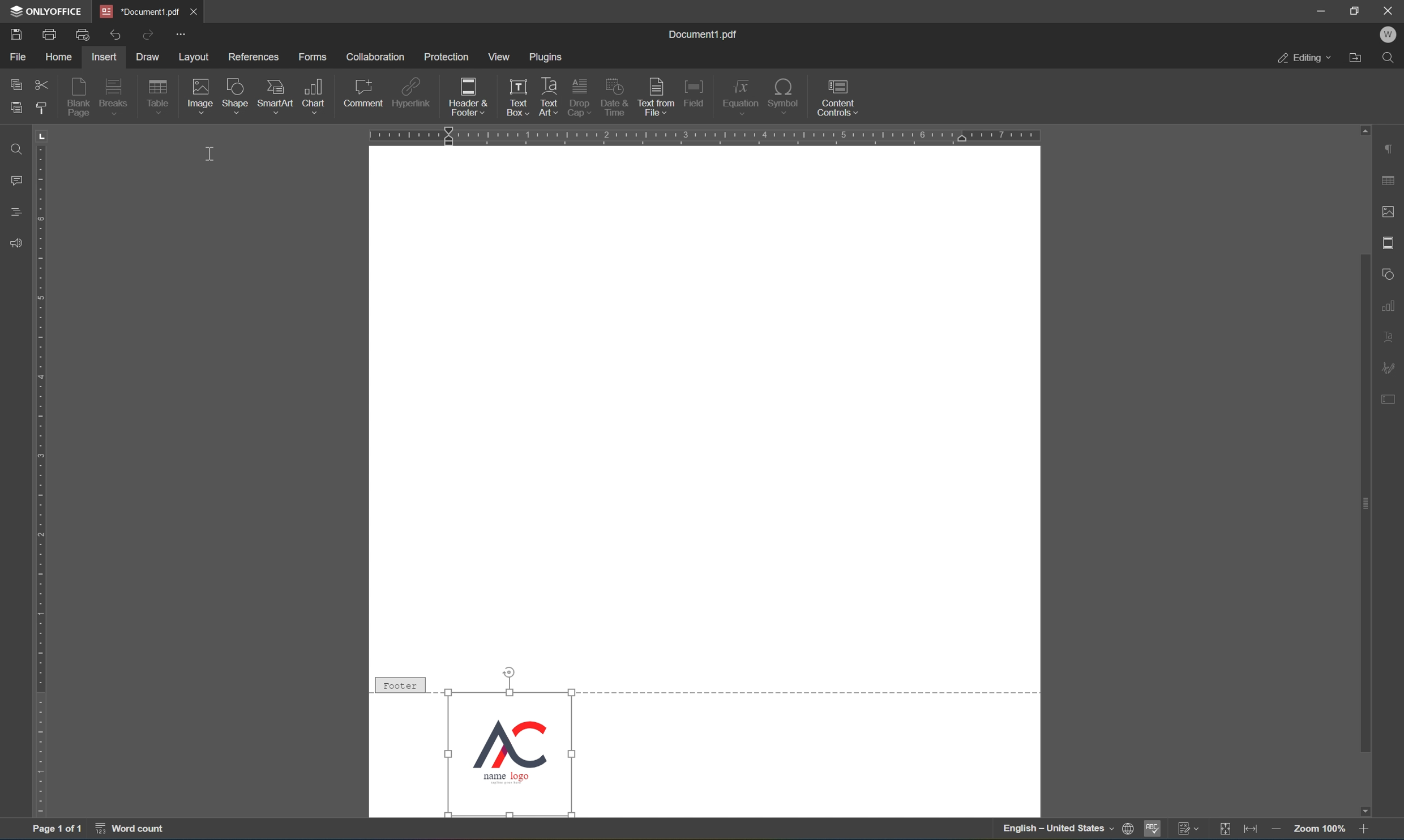 This screenshot has width=1404, height=840. What do you see at coordinates (1391, 242) in the screenshot?
I see `header & footer settings` at bounding box center [1391, 242].